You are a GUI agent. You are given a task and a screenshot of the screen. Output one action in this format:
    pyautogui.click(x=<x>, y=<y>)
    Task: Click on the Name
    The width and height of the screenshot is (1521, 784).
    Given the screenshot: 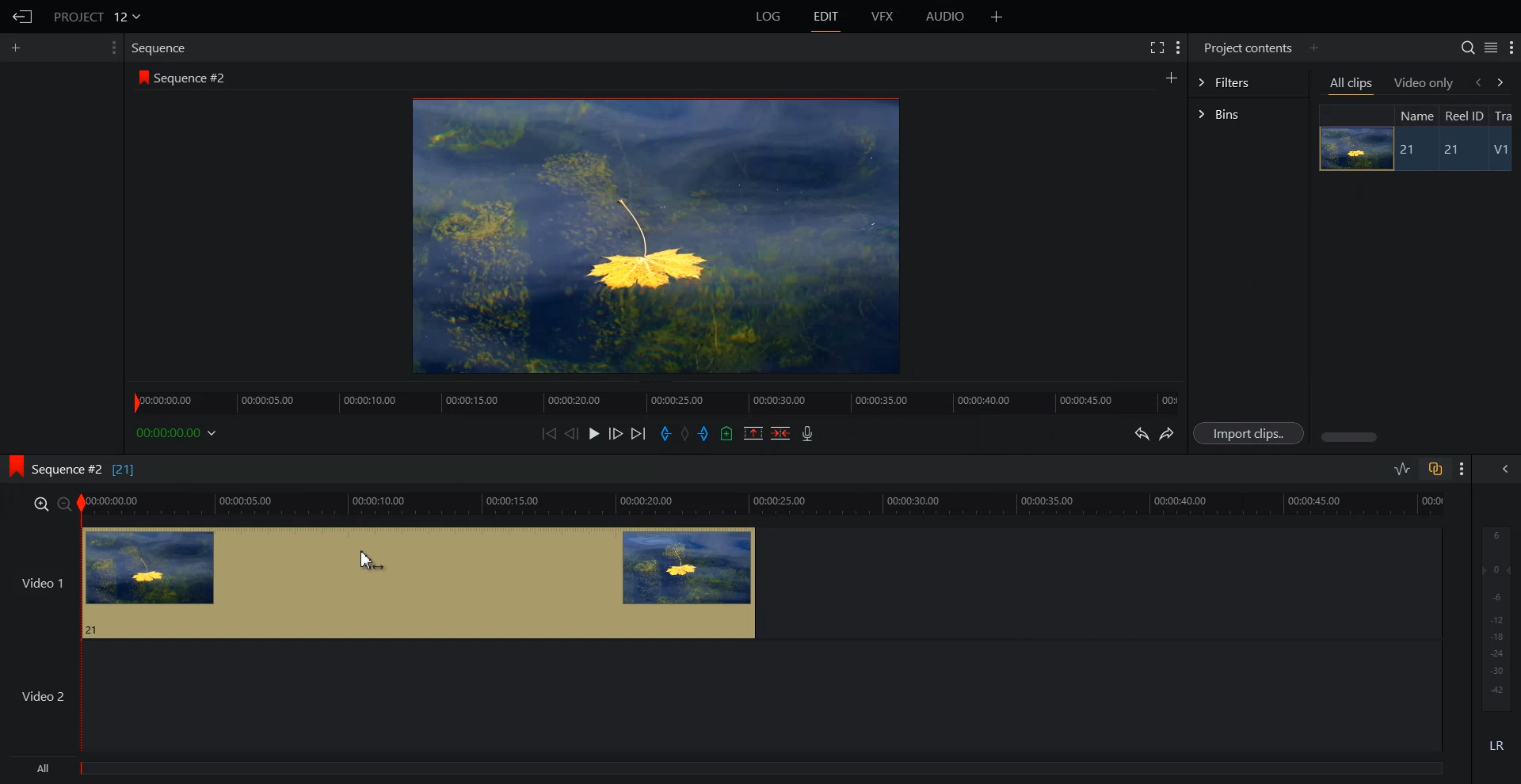 What is the action you would take?
    pyautogui.click(x=1415, y=115)
    